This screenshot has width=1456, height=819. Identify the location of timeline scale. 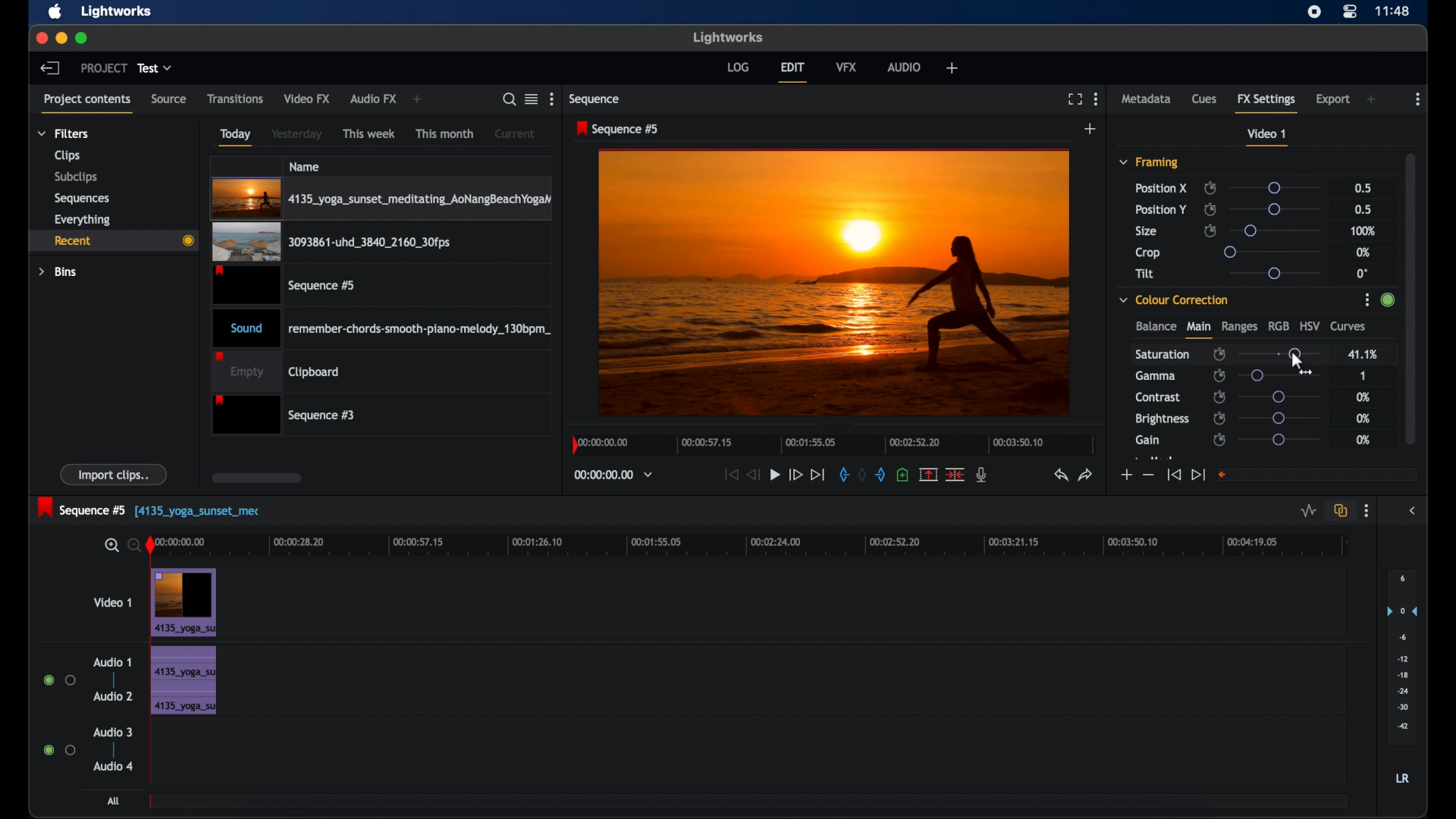
(759, 547).